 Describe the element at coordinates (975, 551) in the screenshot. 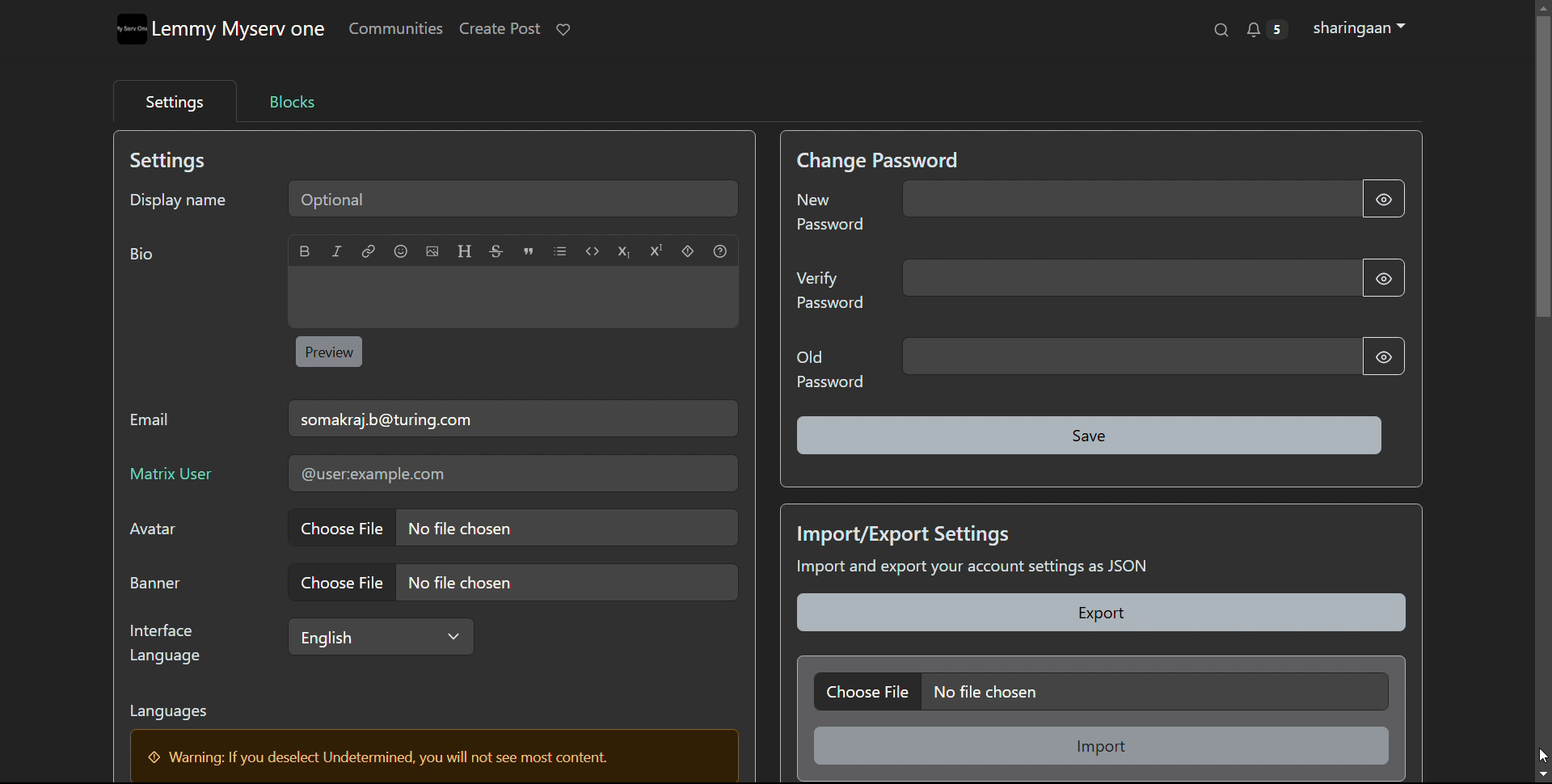

I see `Import/Export Settings
Import and export your account settings as JSON` at that location.